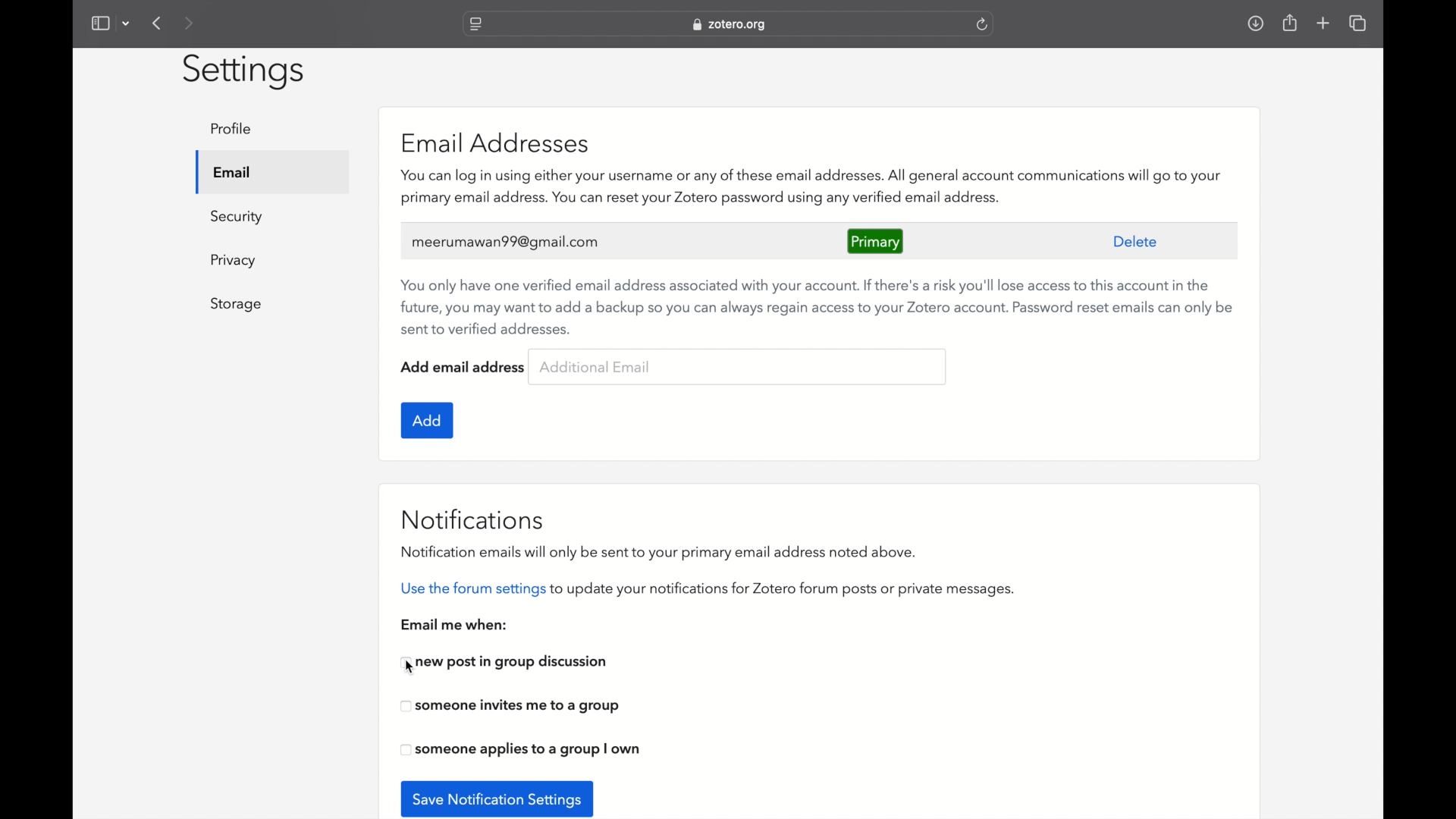 The image size is (1456, 819). I want to click on someone applies to a group i own , so click(520, 750).